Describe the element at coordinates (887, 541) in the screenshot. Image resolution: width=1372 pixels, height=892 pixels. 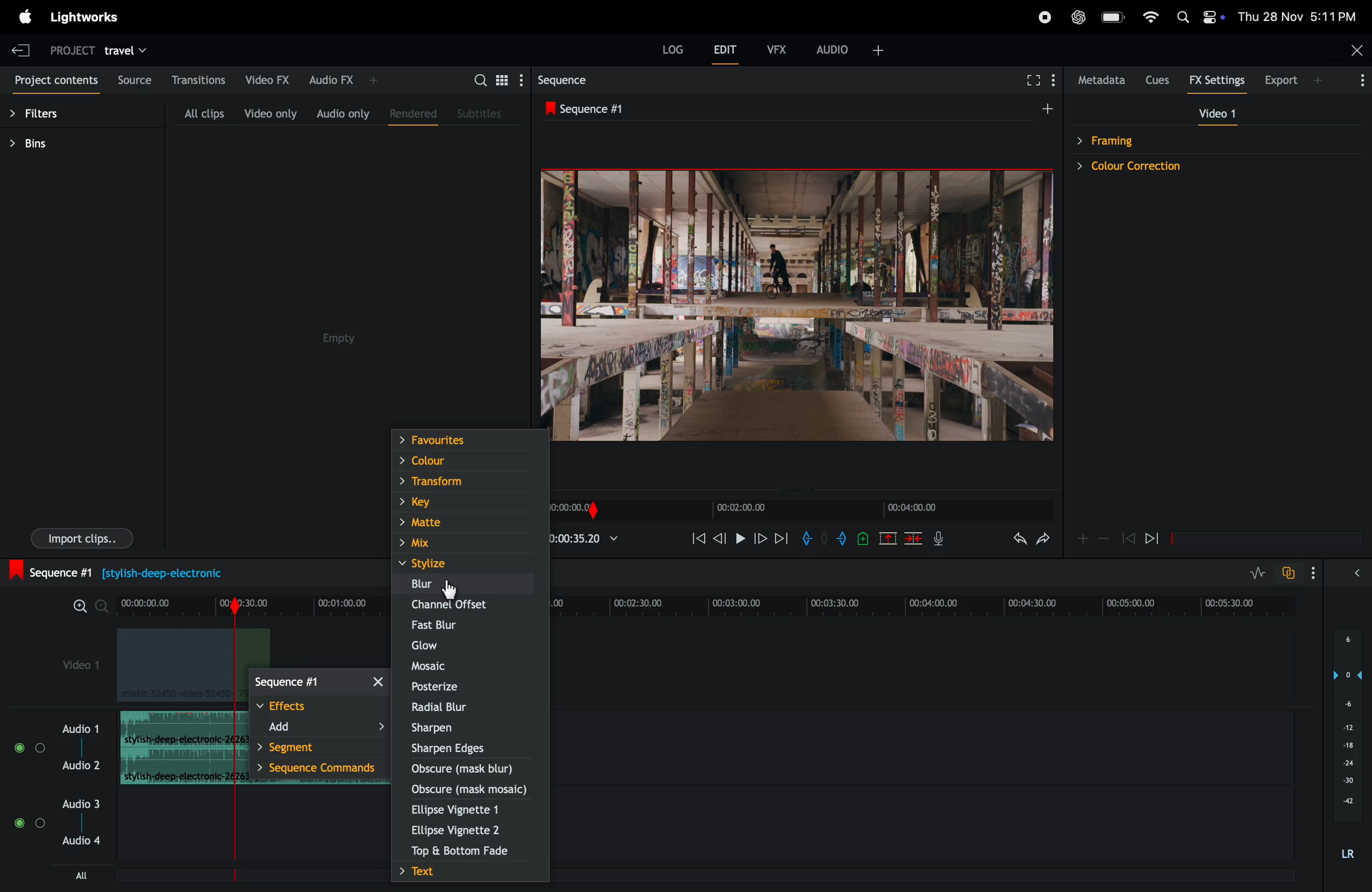
I see `remove market section` at that location.